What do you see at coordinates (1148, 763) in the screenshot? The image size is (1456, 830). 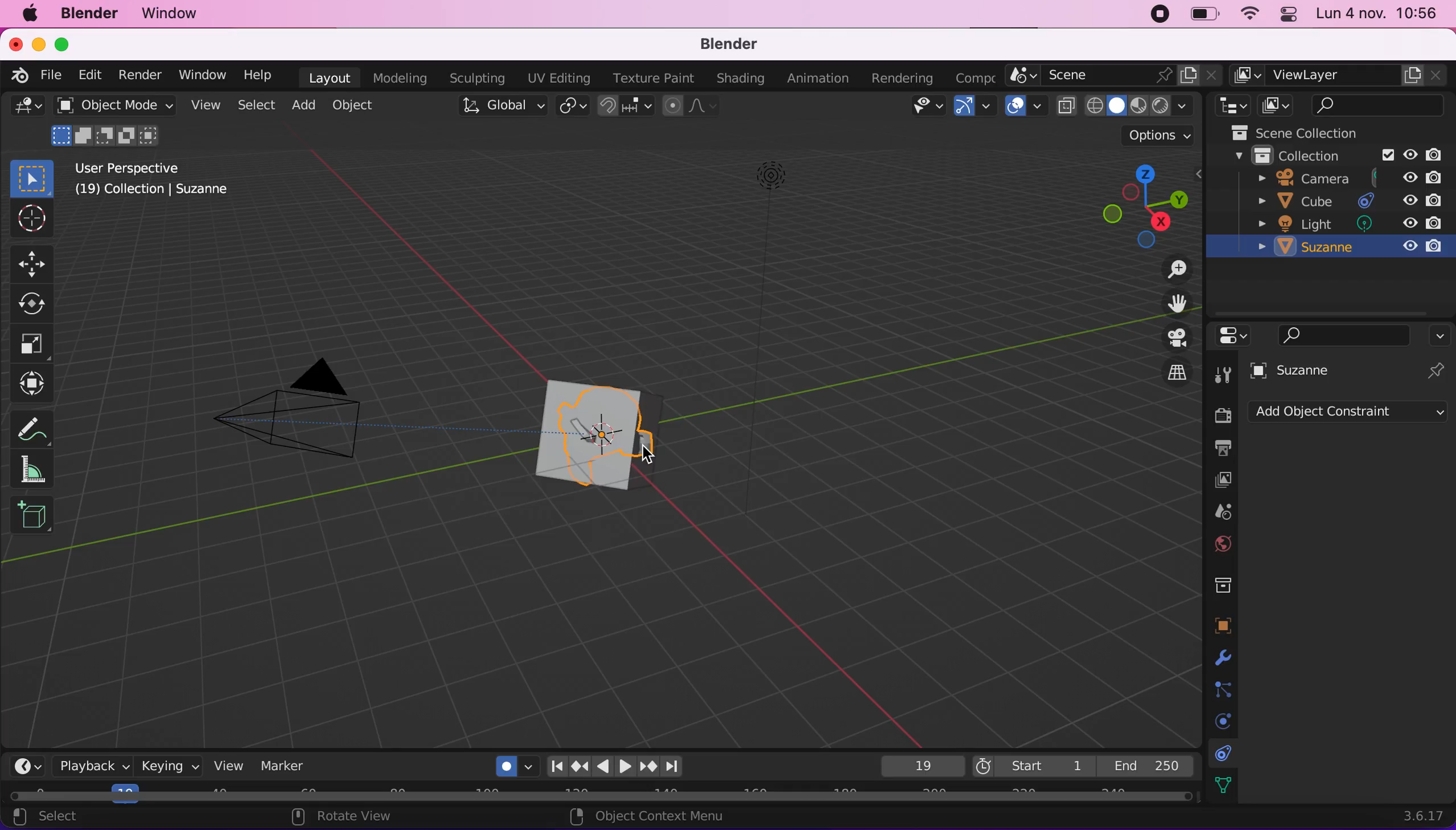 I see `final frame` at bounding box center [1148, 763].